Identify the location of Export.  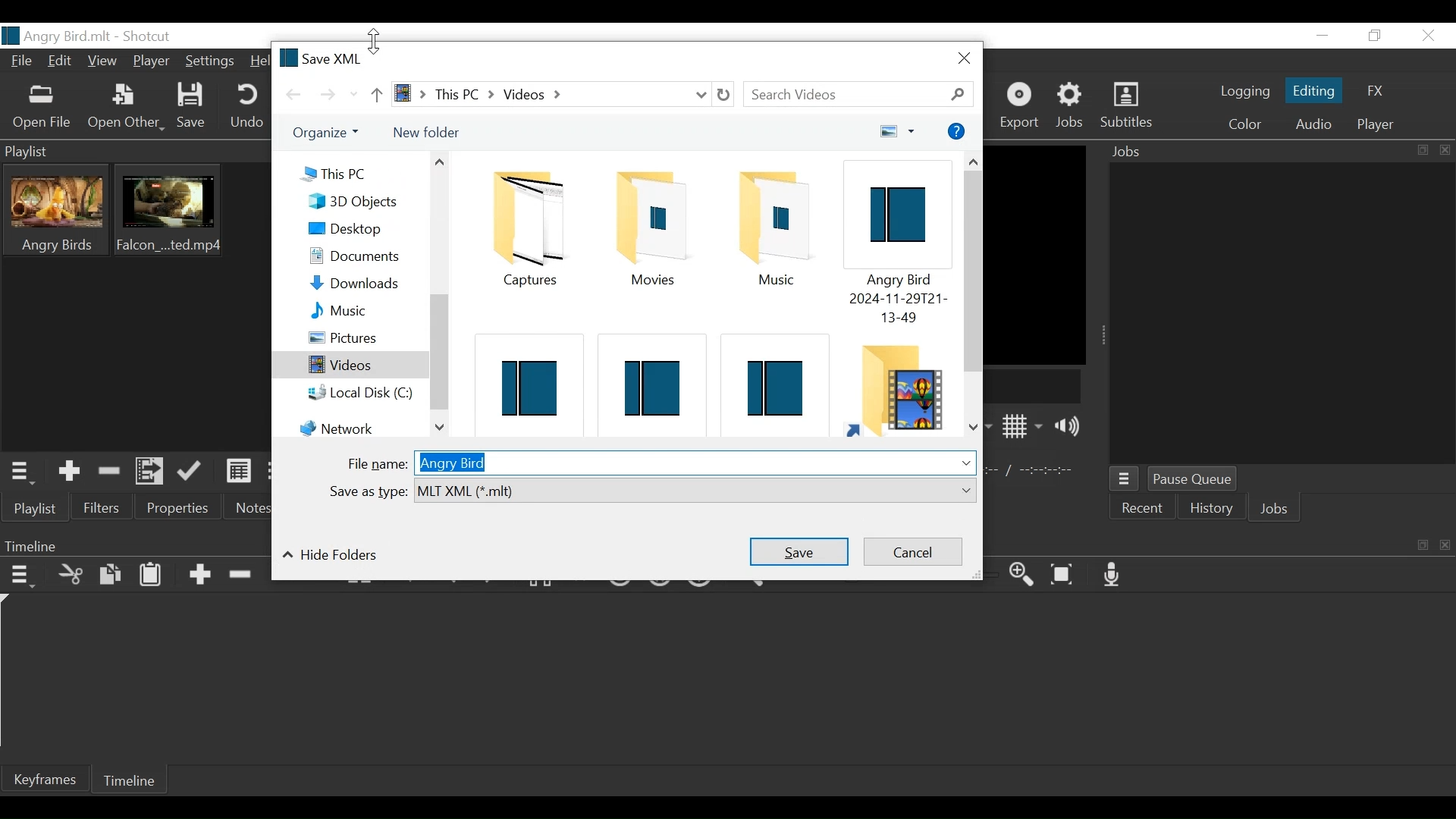
(1021, 106).